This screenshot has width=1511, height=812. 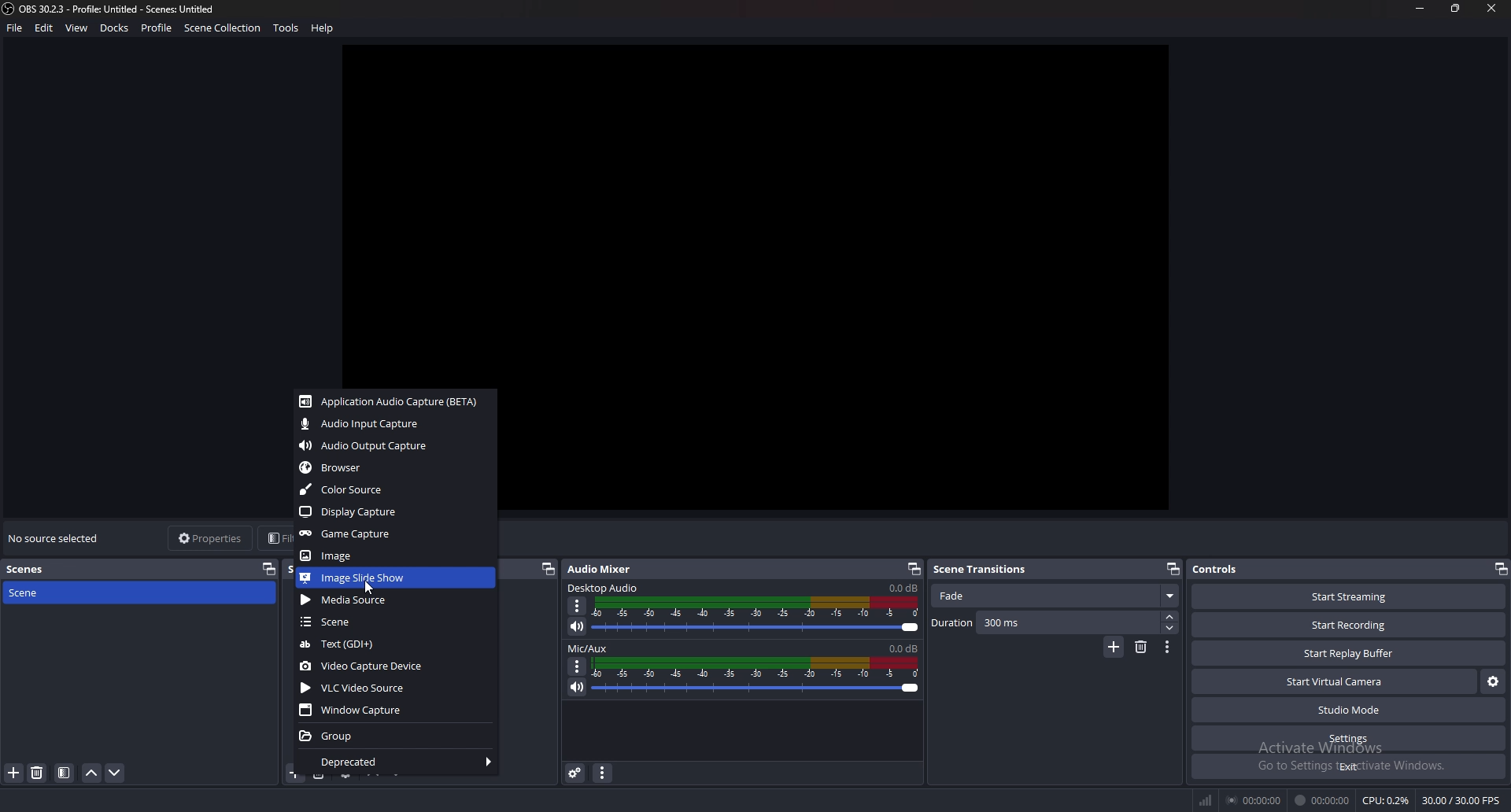 I want to click on edit, so click(x=46, y=28).